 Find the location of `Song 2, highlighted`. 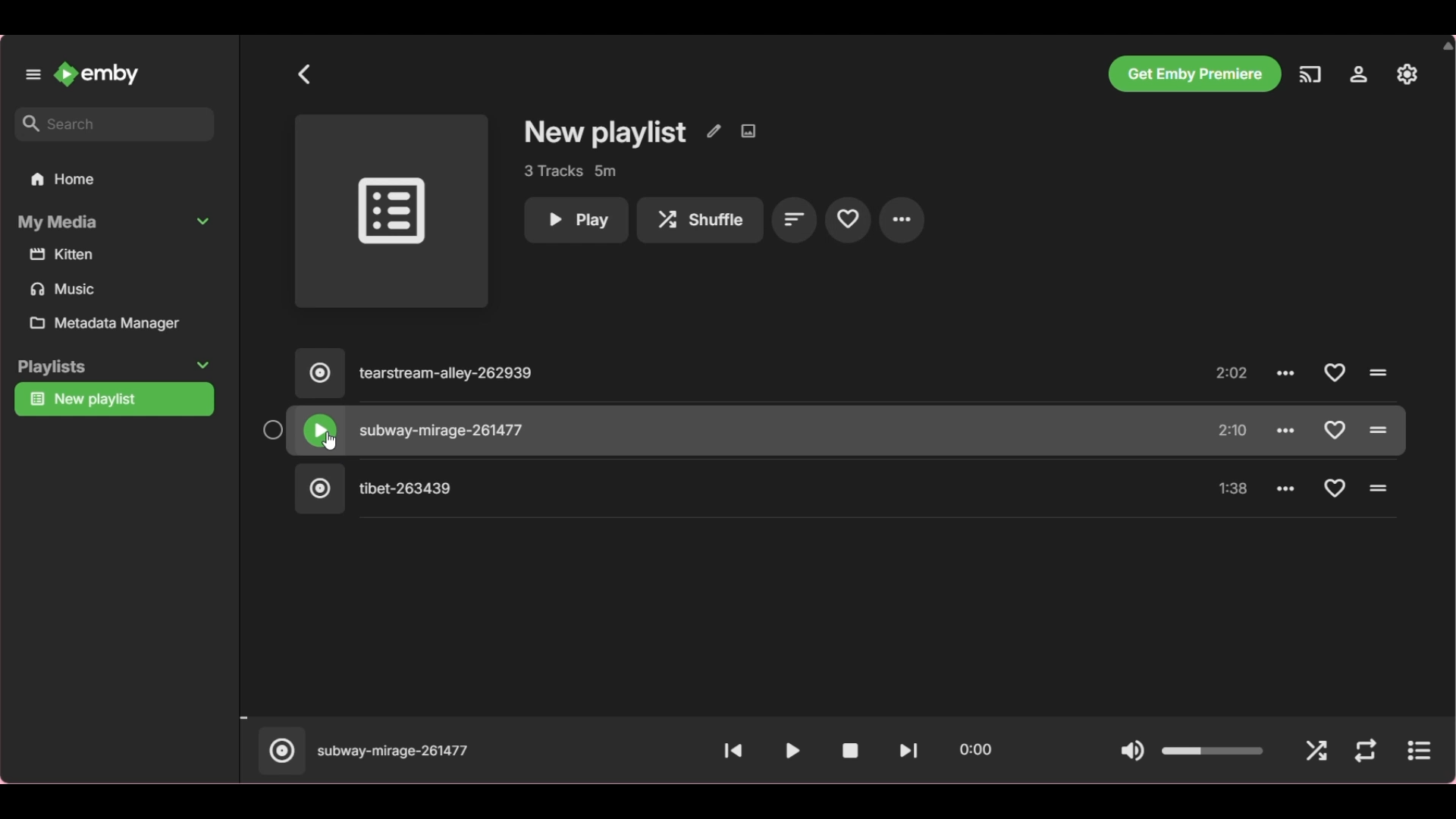

Song 2, highlighted is located at coordinates (720, 431).